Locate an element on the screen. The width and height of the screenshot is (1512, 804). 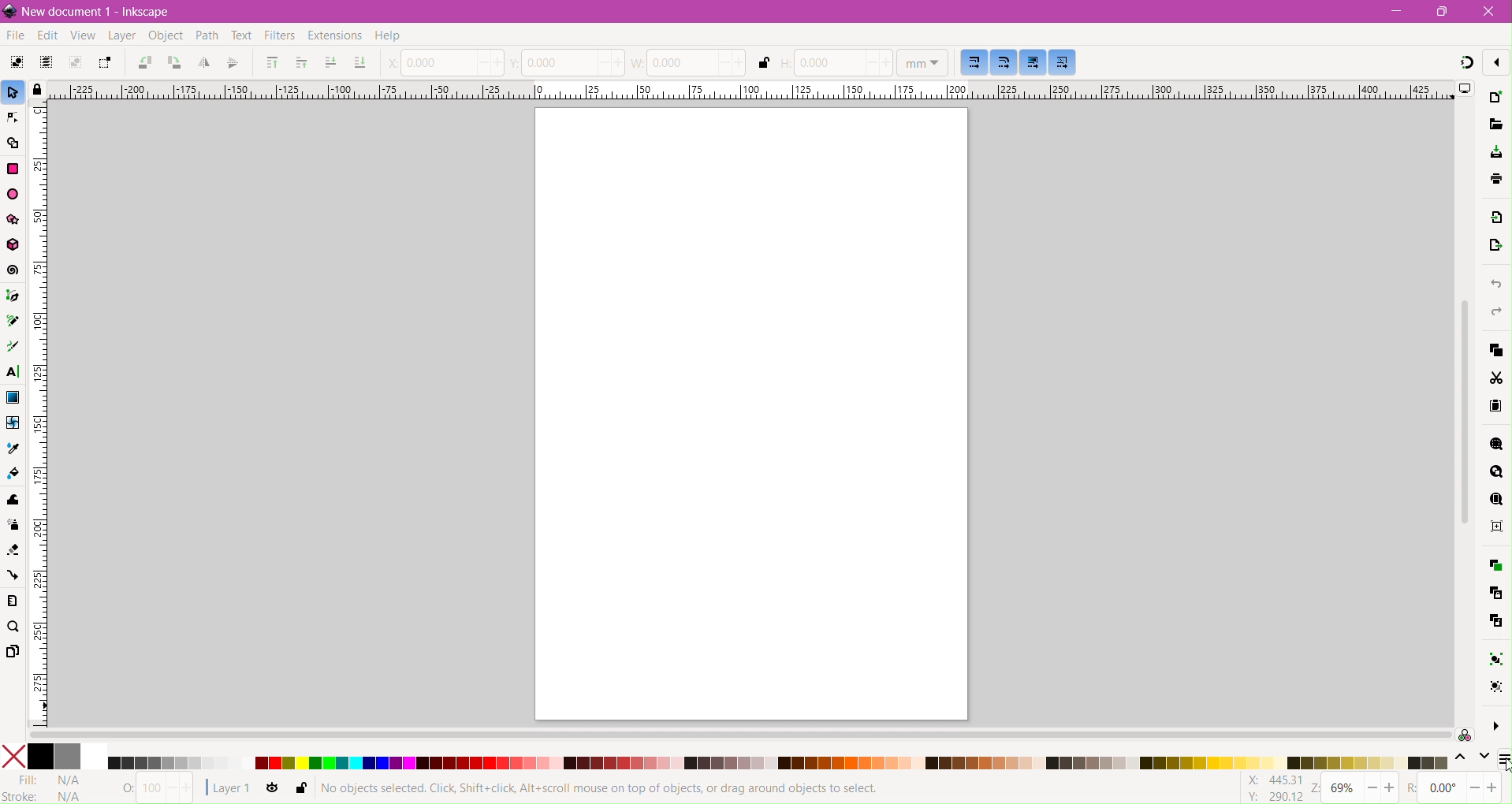
Vertical Ruler is located at coordinates (38, 415).